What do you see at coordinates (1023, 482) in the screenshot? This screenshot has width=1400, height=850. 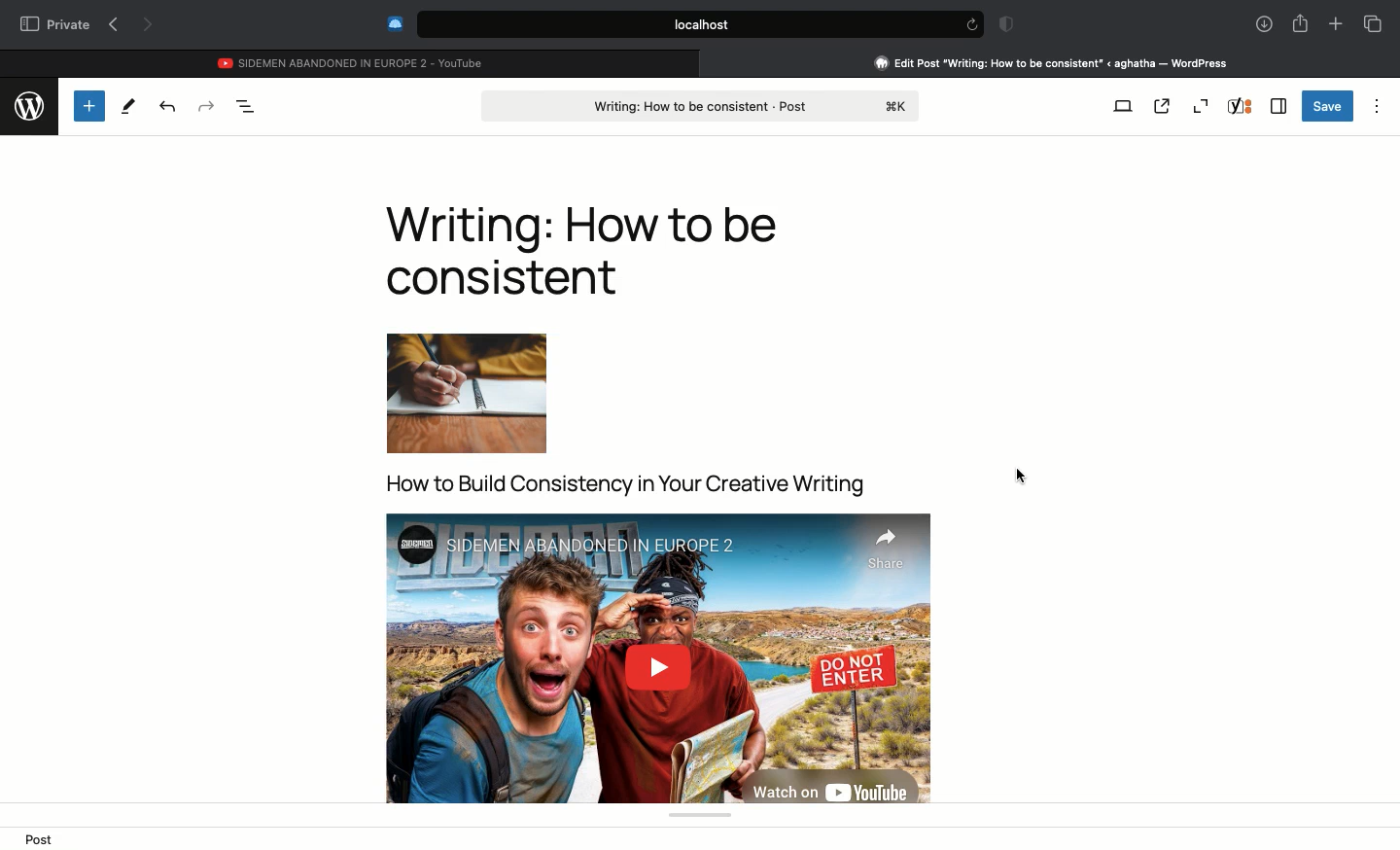 I see `Clicking screen to save` at bounding box center [1023, 482].